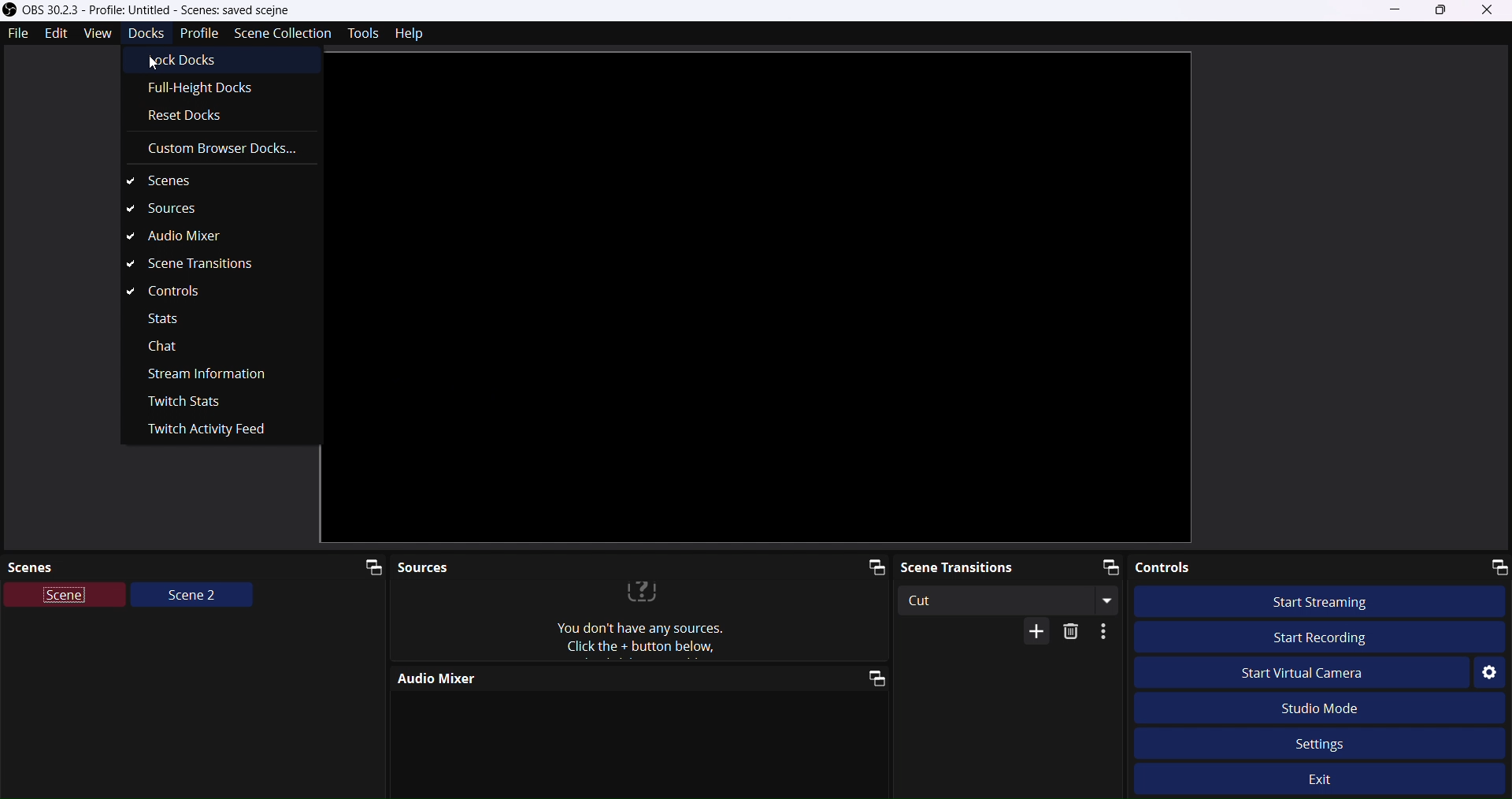 This screenshot has height=799, width=1512. I want to click on Scene Transitions, so click(202, 263).